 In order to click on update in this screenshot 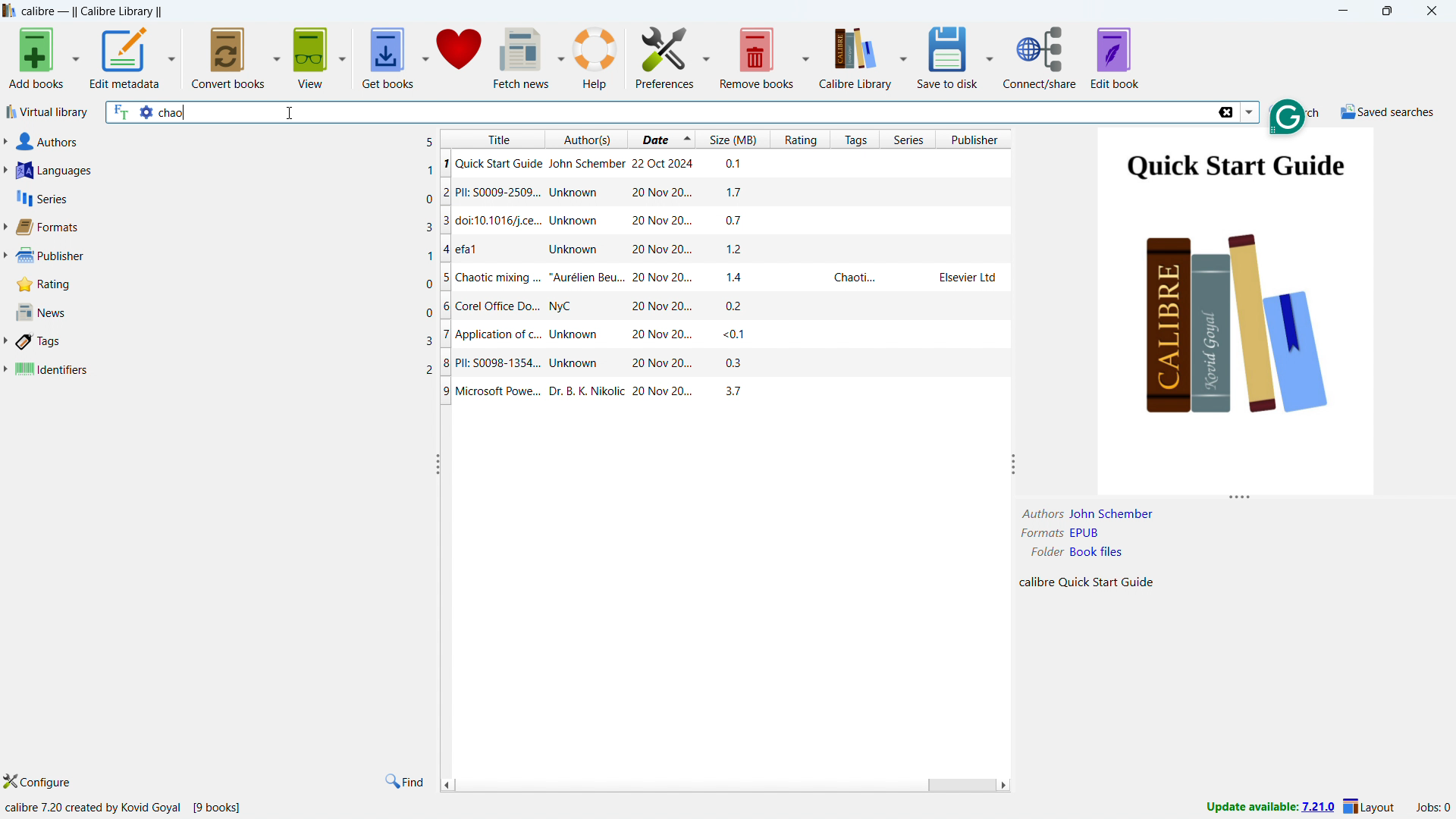, I will do `click(1269, 808)`.